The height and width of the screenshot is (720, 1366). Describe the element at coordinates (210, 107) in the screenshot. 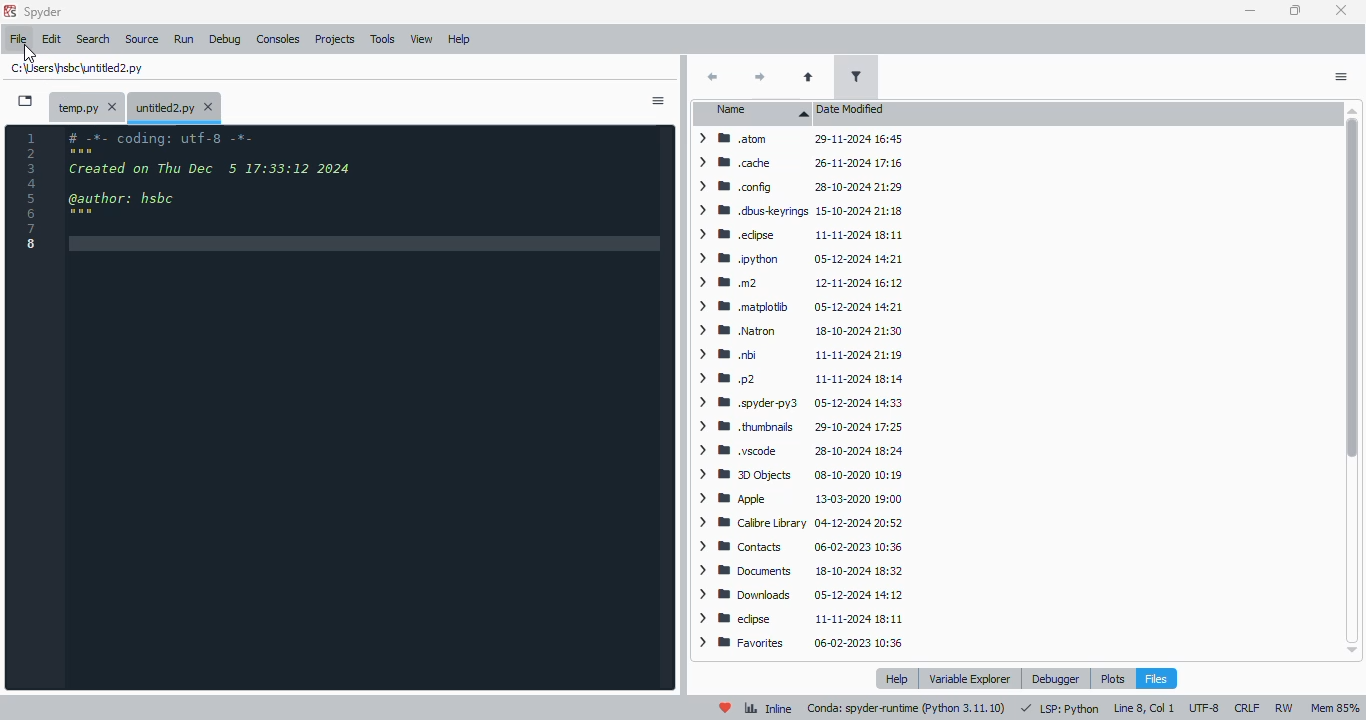

I see `close` at that location.